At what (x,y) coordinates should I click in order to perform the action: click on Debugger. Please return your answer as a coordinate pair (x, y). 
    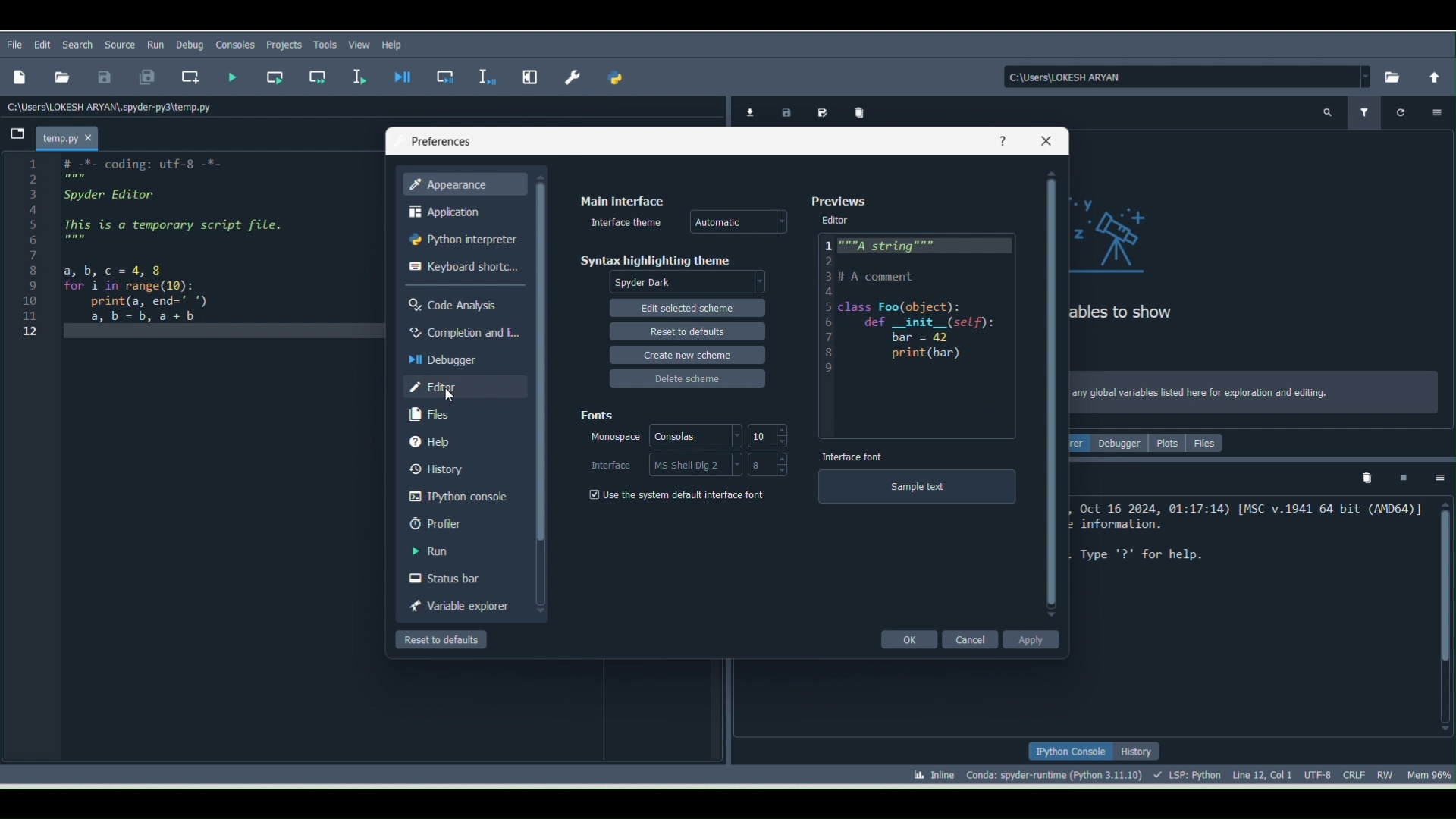
    Looking at the image, I should click on (1121, 443).